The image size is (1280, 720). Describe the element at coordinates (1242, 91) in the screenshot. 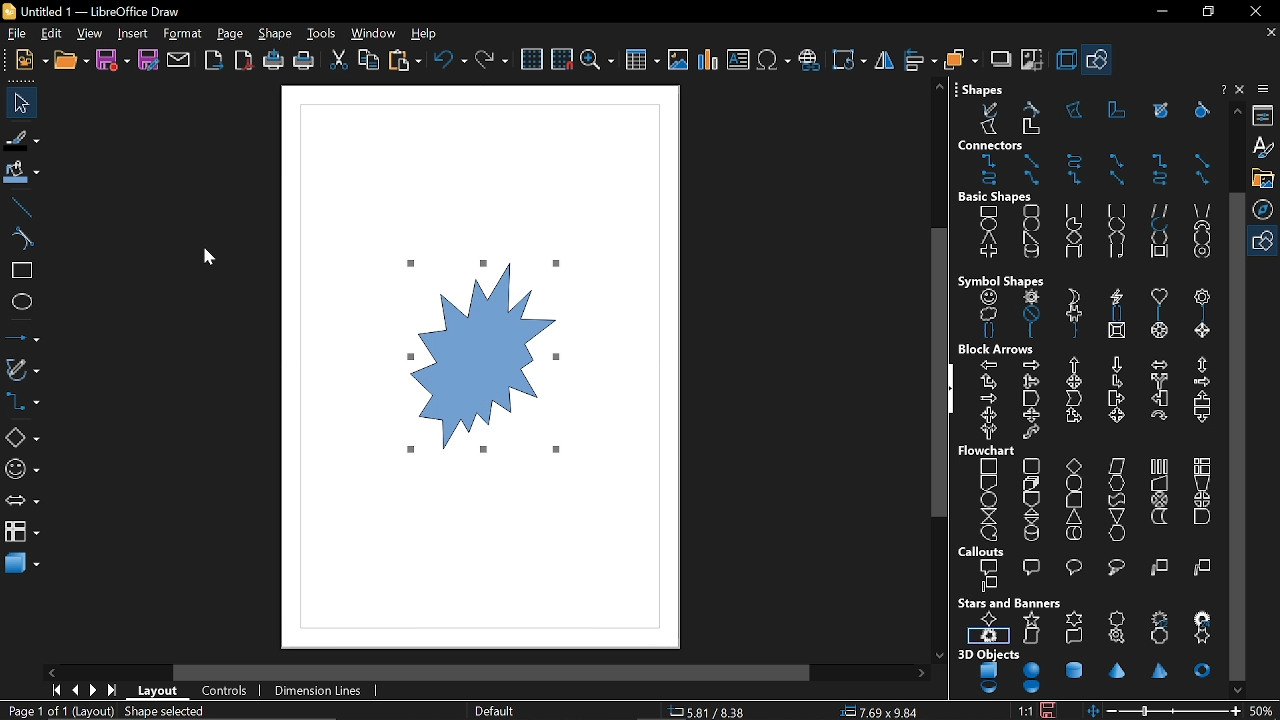

I see `Help` at that location.